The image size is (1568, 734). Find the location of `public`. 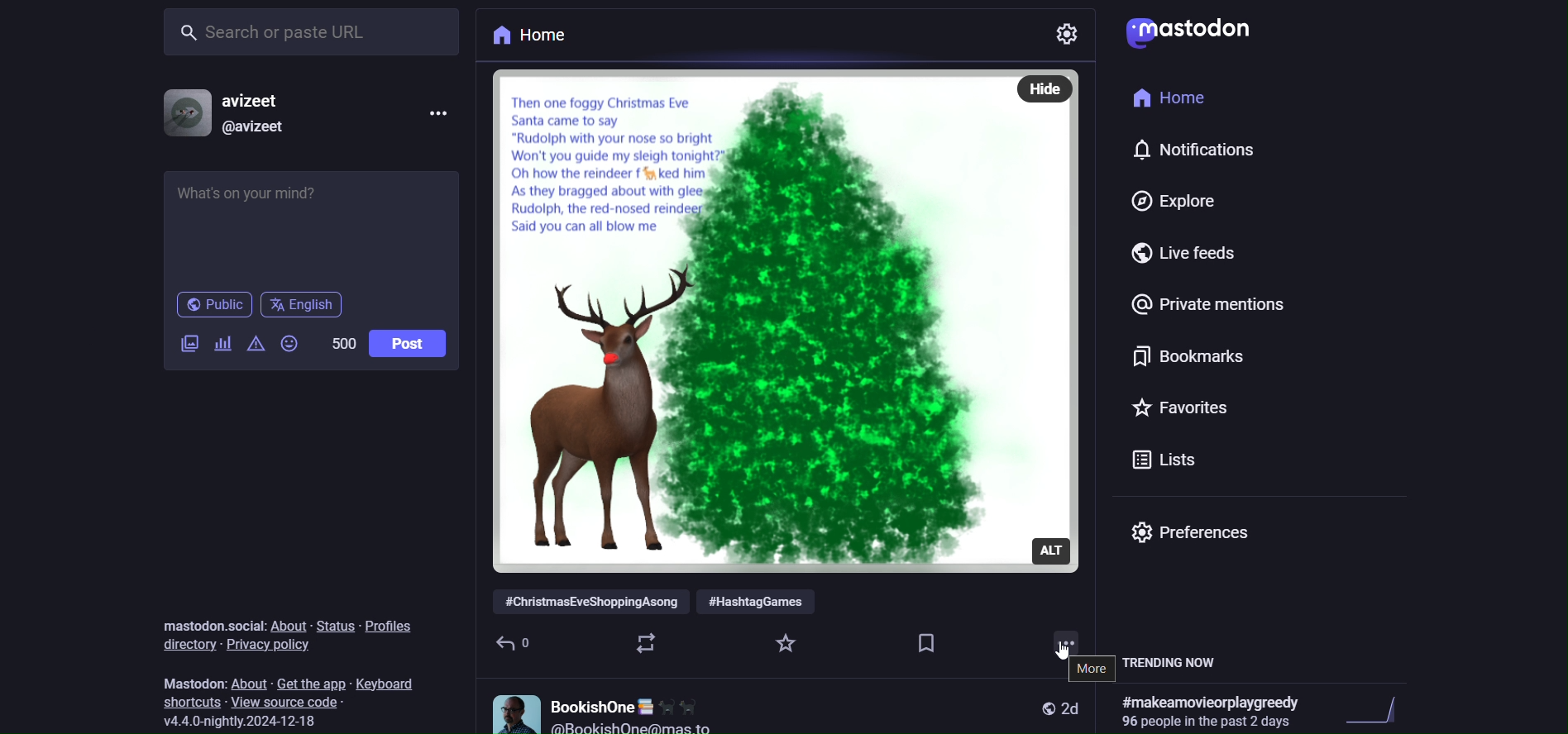

public is located at coordinates (1037, 706).